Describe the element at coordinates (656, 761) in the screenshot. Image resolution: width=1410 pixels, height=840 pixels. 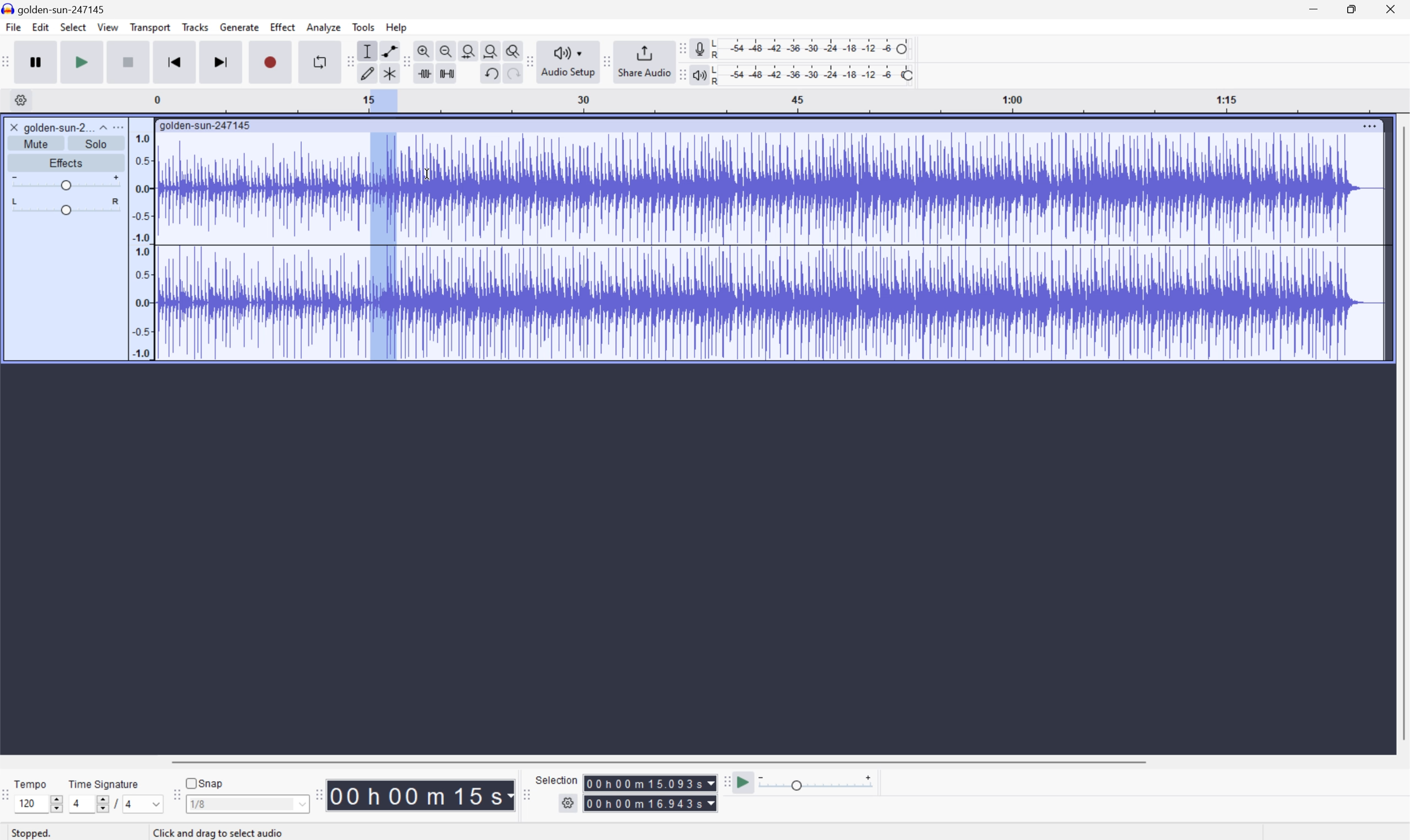
I see `Scroll bar` at that location.